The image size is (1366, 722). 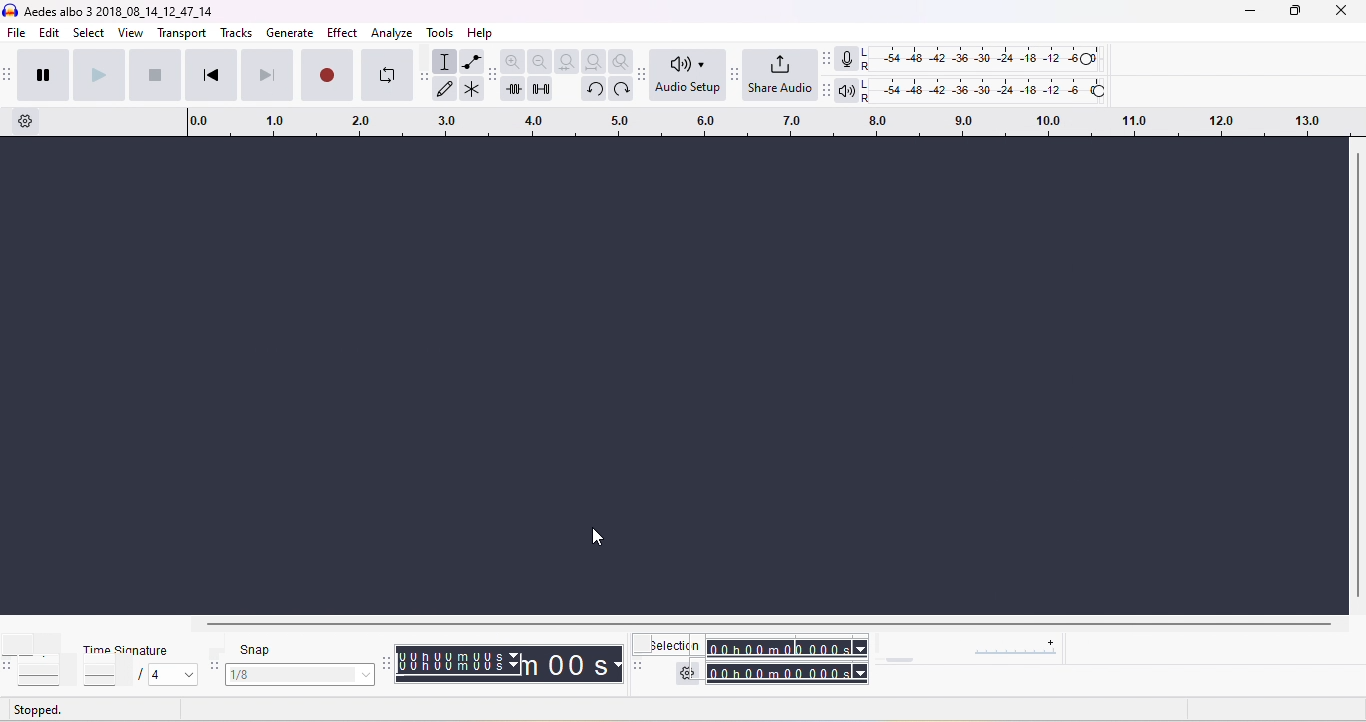 I want to click on Audacity audio setup toolbar, so click(x=643, y=75).